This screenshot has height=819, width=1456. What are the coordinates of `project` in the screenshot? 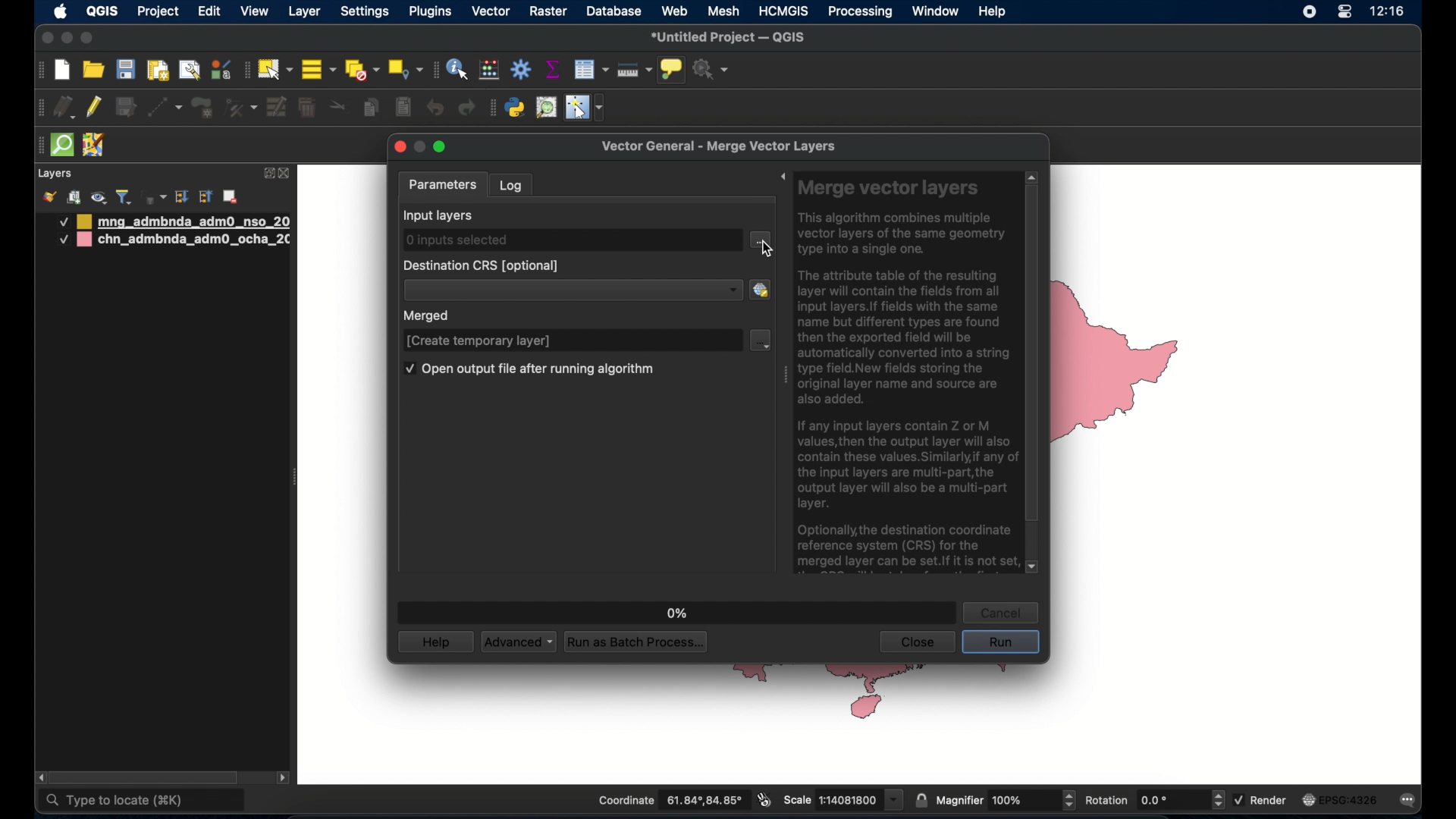 It's located at (159, 13).